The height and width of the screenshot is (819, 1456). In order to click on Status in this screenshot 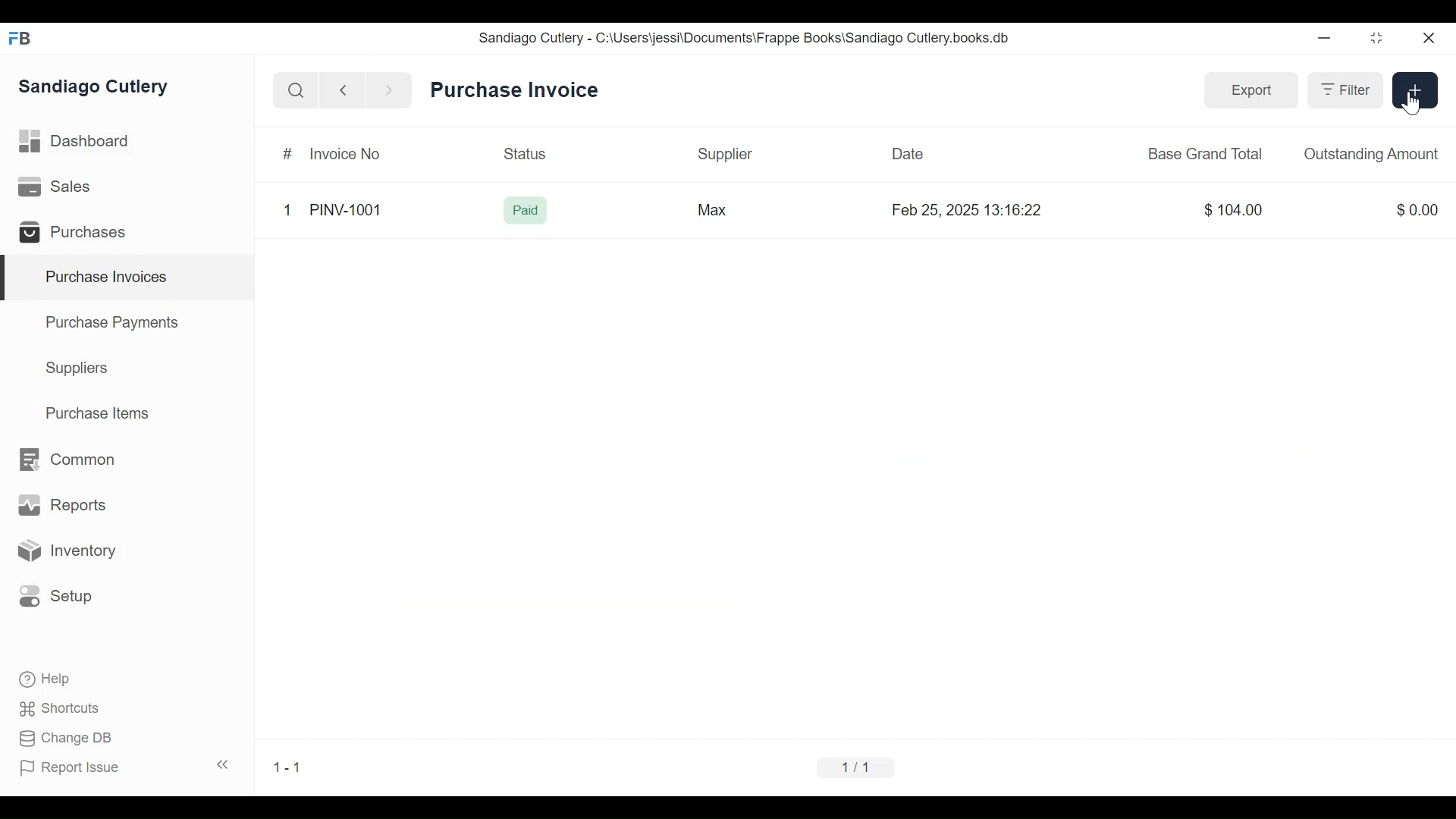, I will do `click(529, 155)`.